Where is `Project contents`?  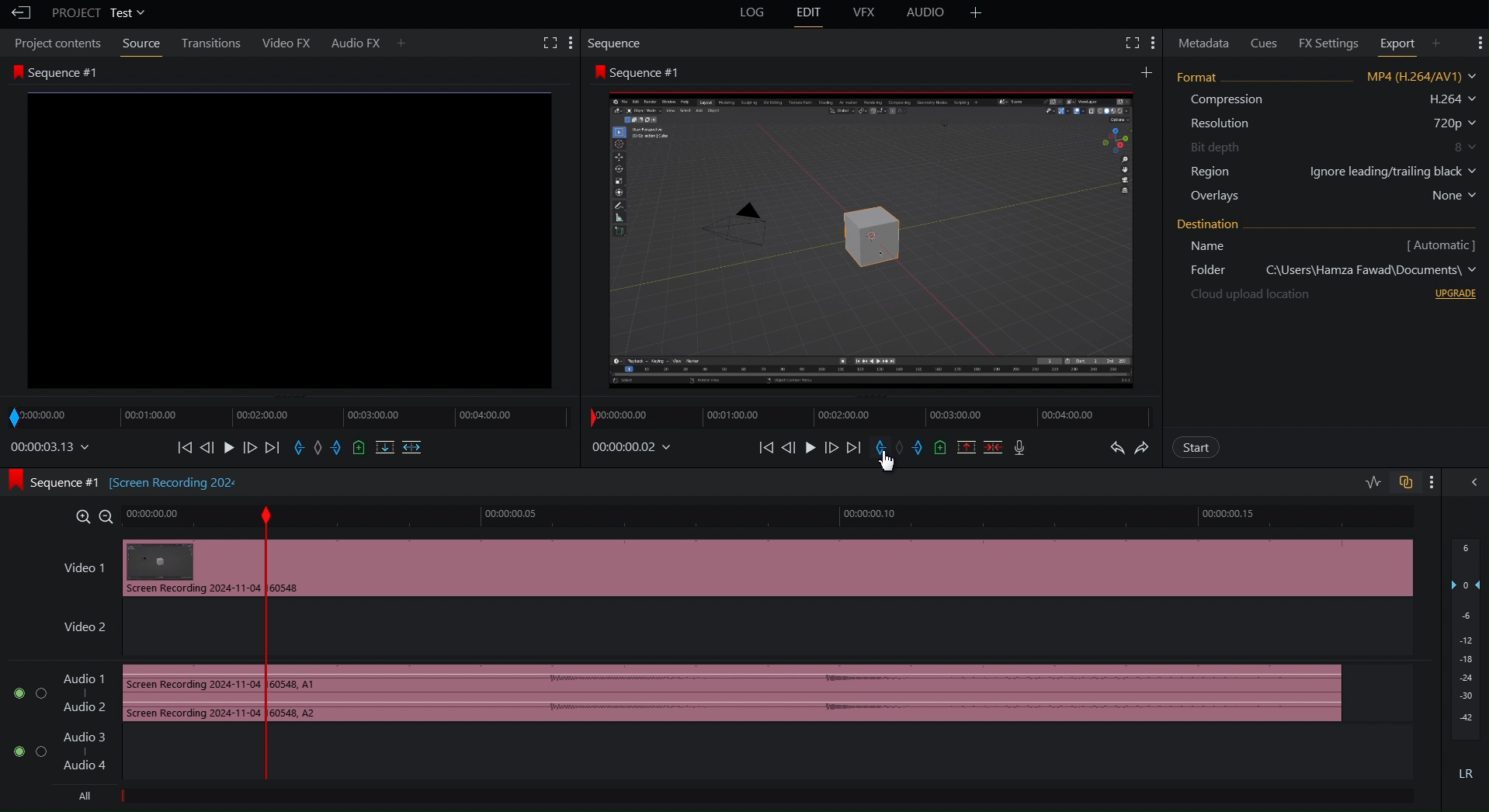
Project contents is located at coordinates (56, 43).